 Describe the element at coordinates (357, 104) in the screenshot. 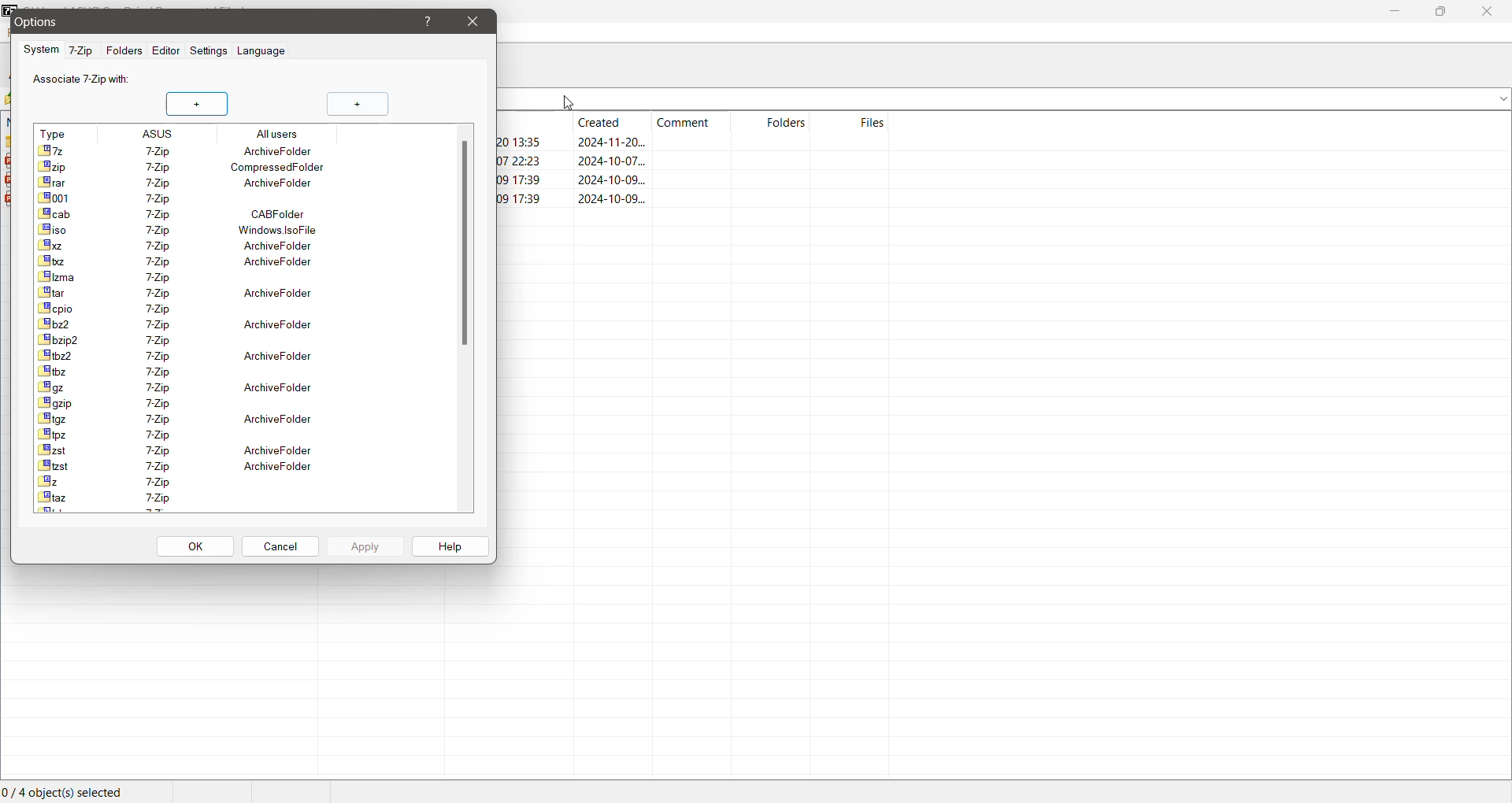

I see `Click to add 'All users'` at that location.